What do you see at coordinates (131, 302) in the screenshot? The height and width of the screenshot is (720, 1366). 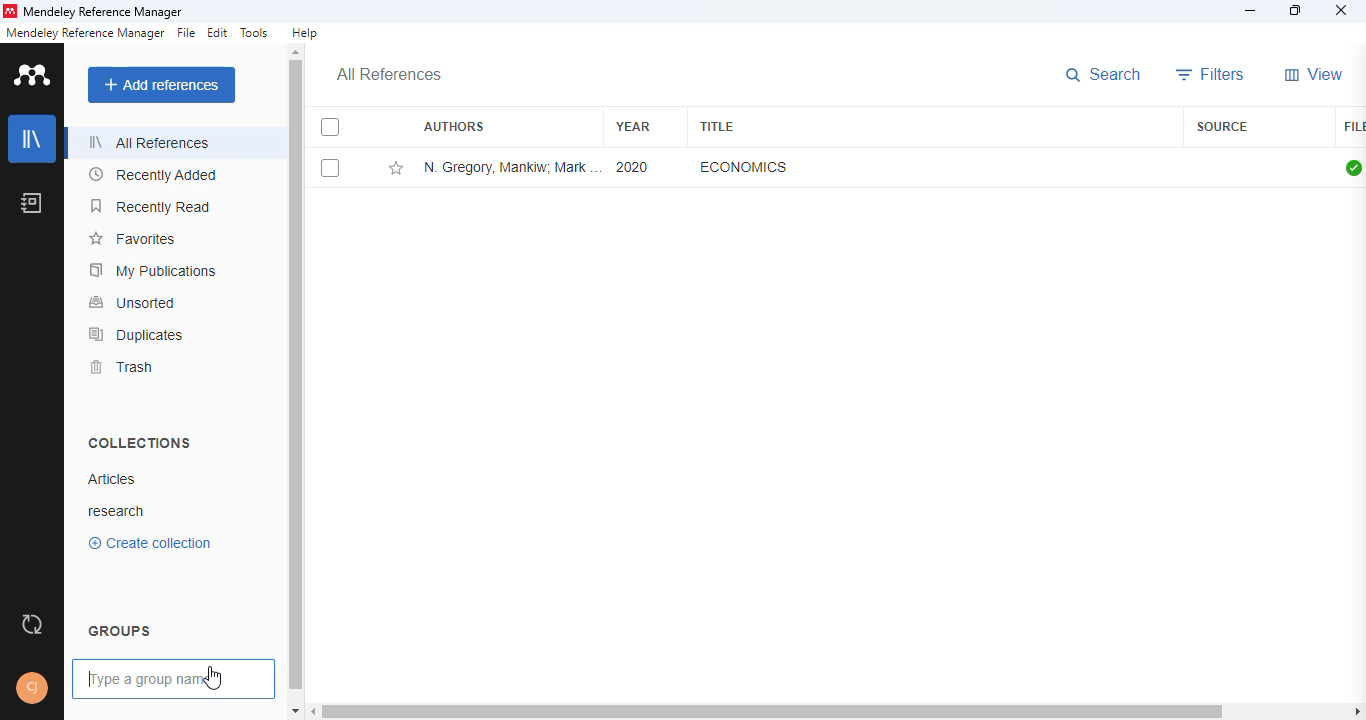 I see `unsorted` at bounding box center [131, 302].